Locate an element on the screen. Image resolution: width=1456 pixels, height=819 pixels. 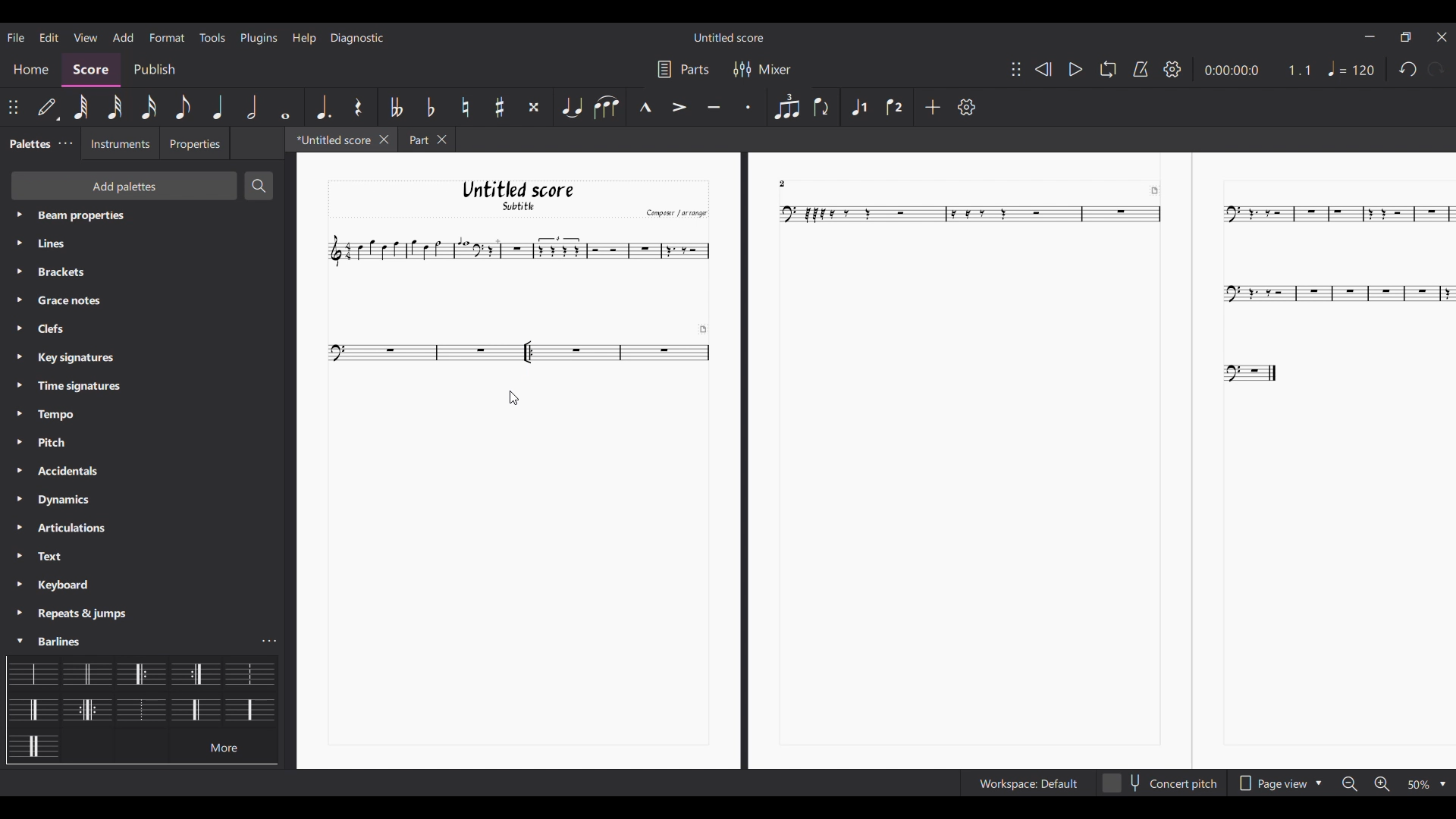
Barline options is located at coordinates (195, 672).